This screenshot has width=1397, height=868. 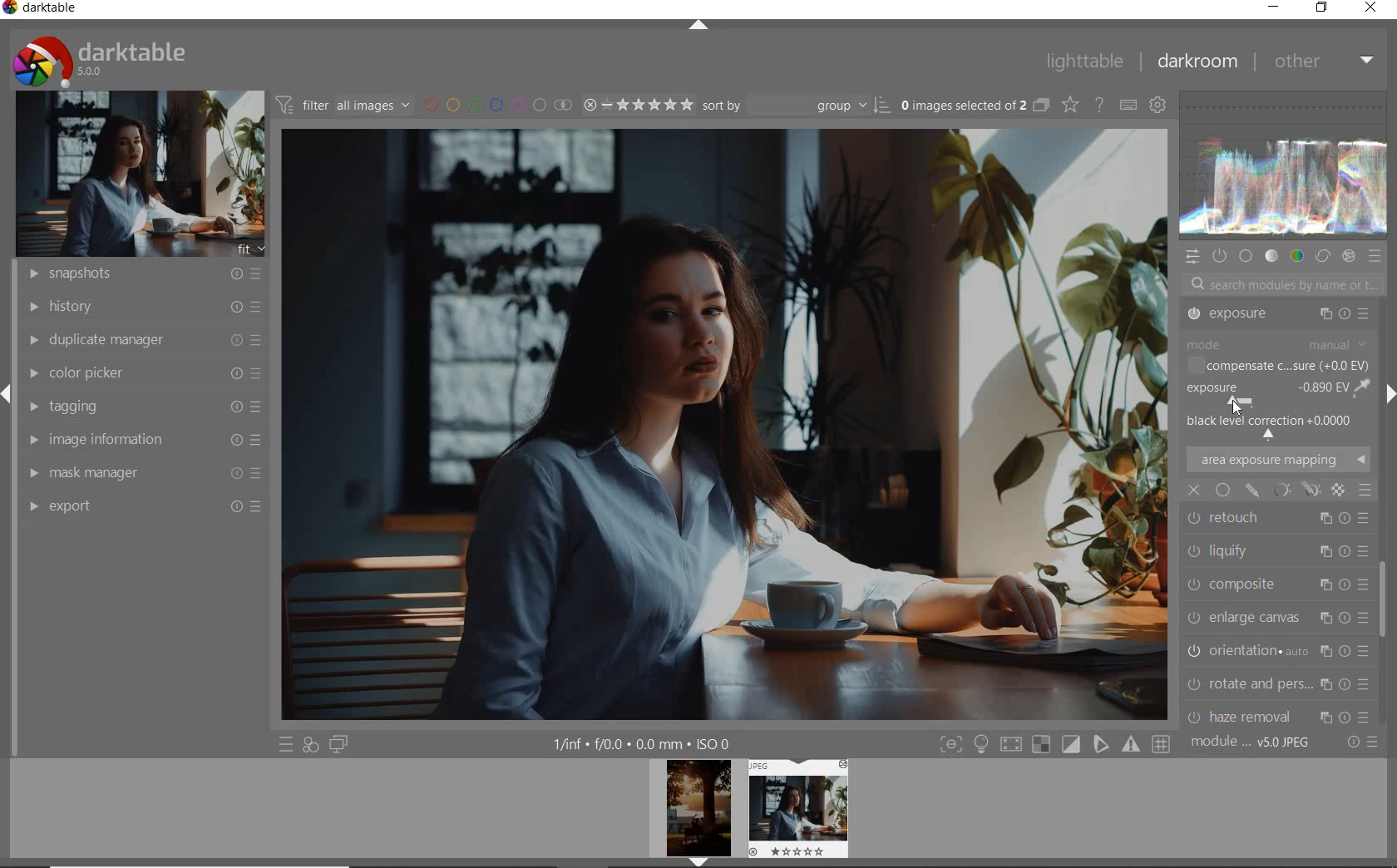 I want to click on COLOR, so click(x=1296, y=257).